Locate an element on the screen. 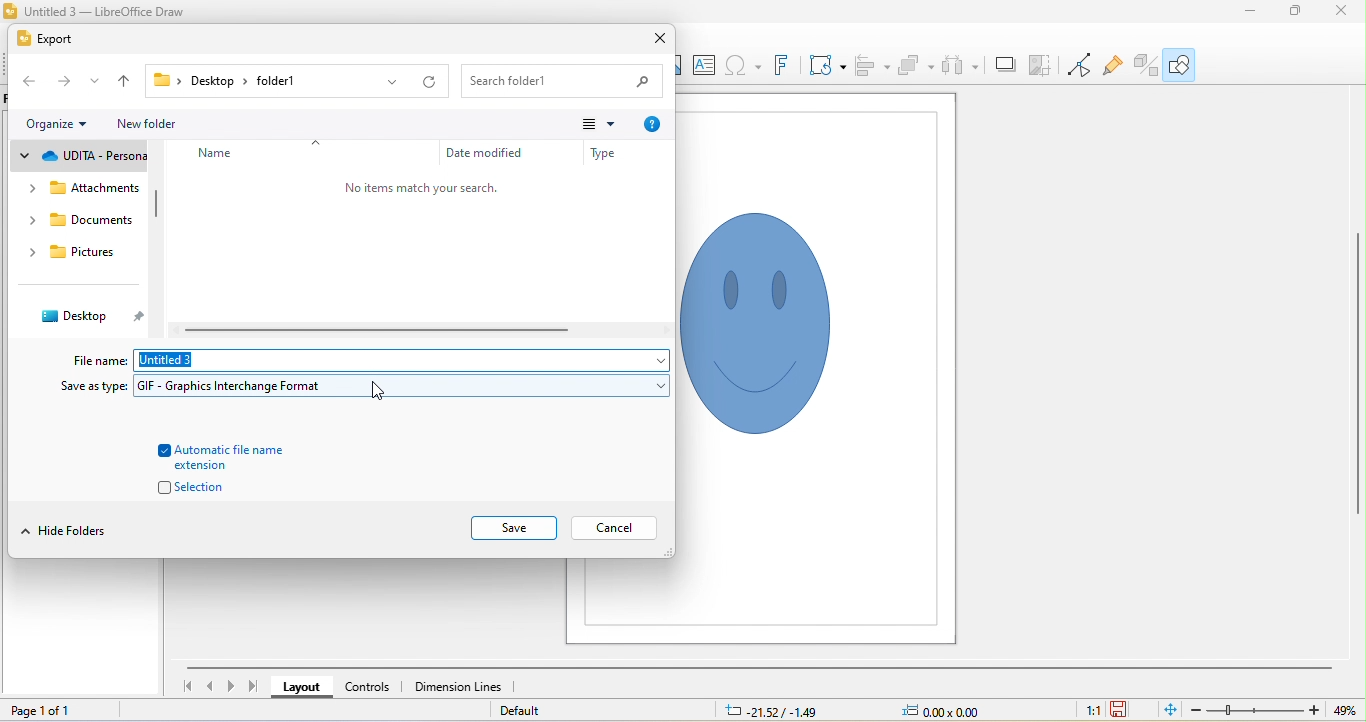  pin is located at coordinates (142, 319).